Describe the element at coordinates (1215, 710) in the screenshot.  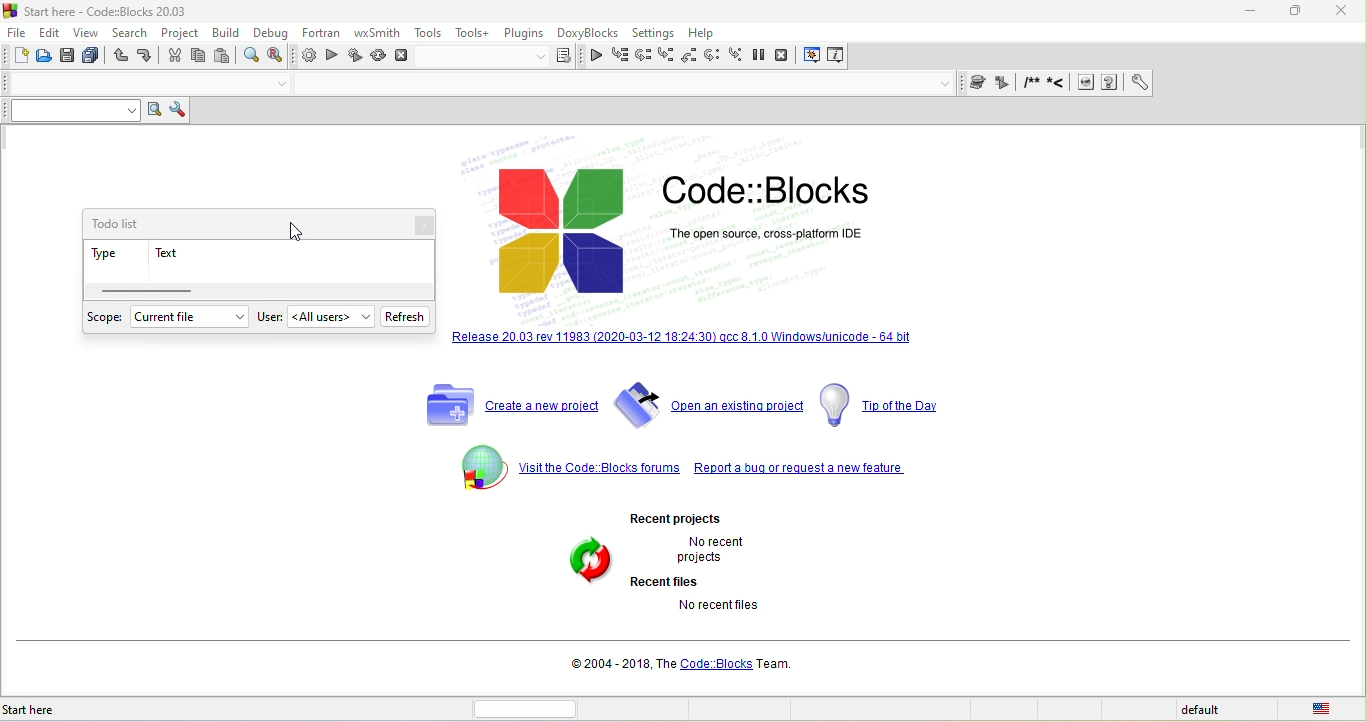
I see `default` at that location.